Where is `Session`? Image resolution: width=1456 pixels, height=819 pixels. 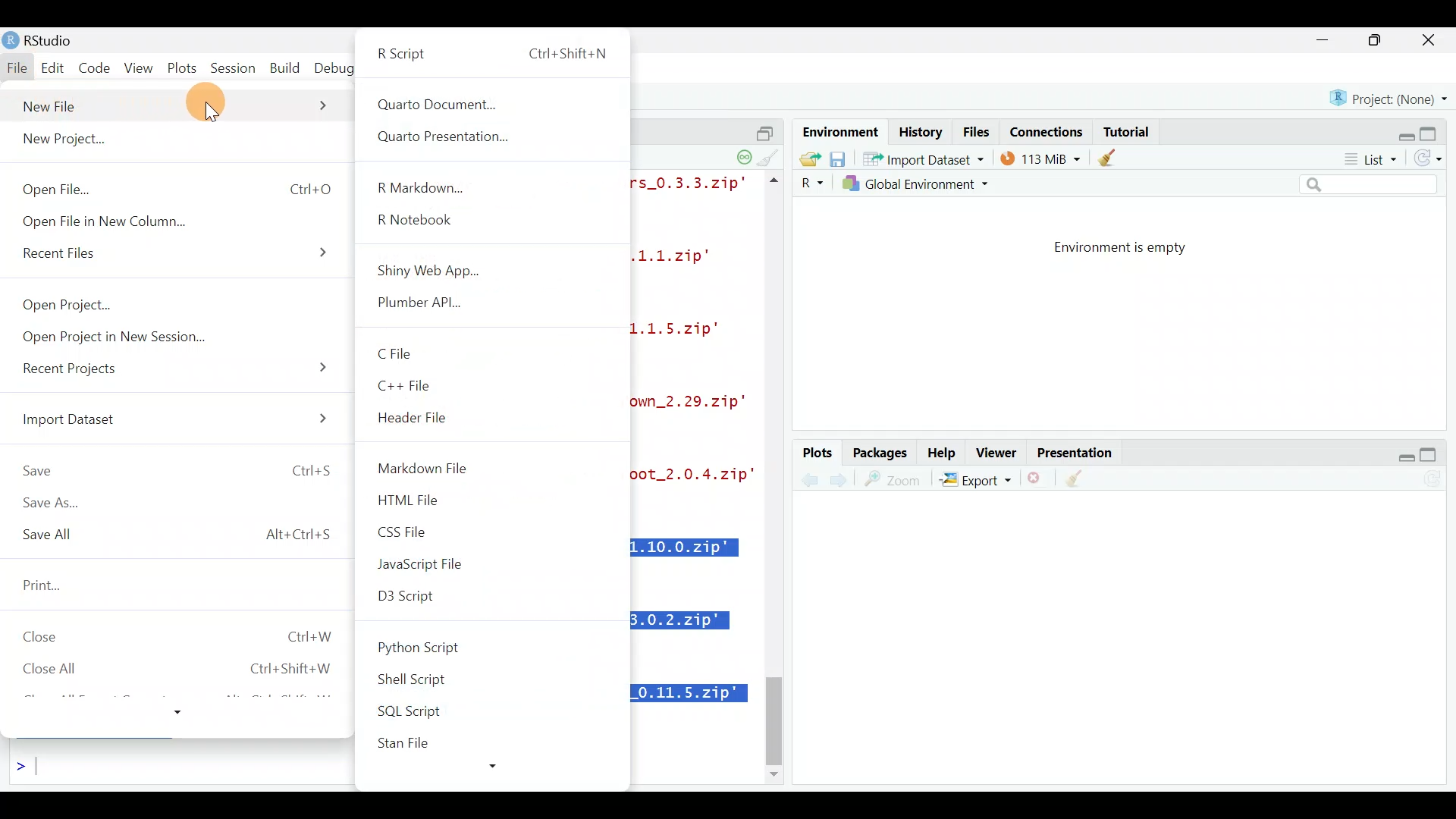 Session is located at coordinates (236, 67).